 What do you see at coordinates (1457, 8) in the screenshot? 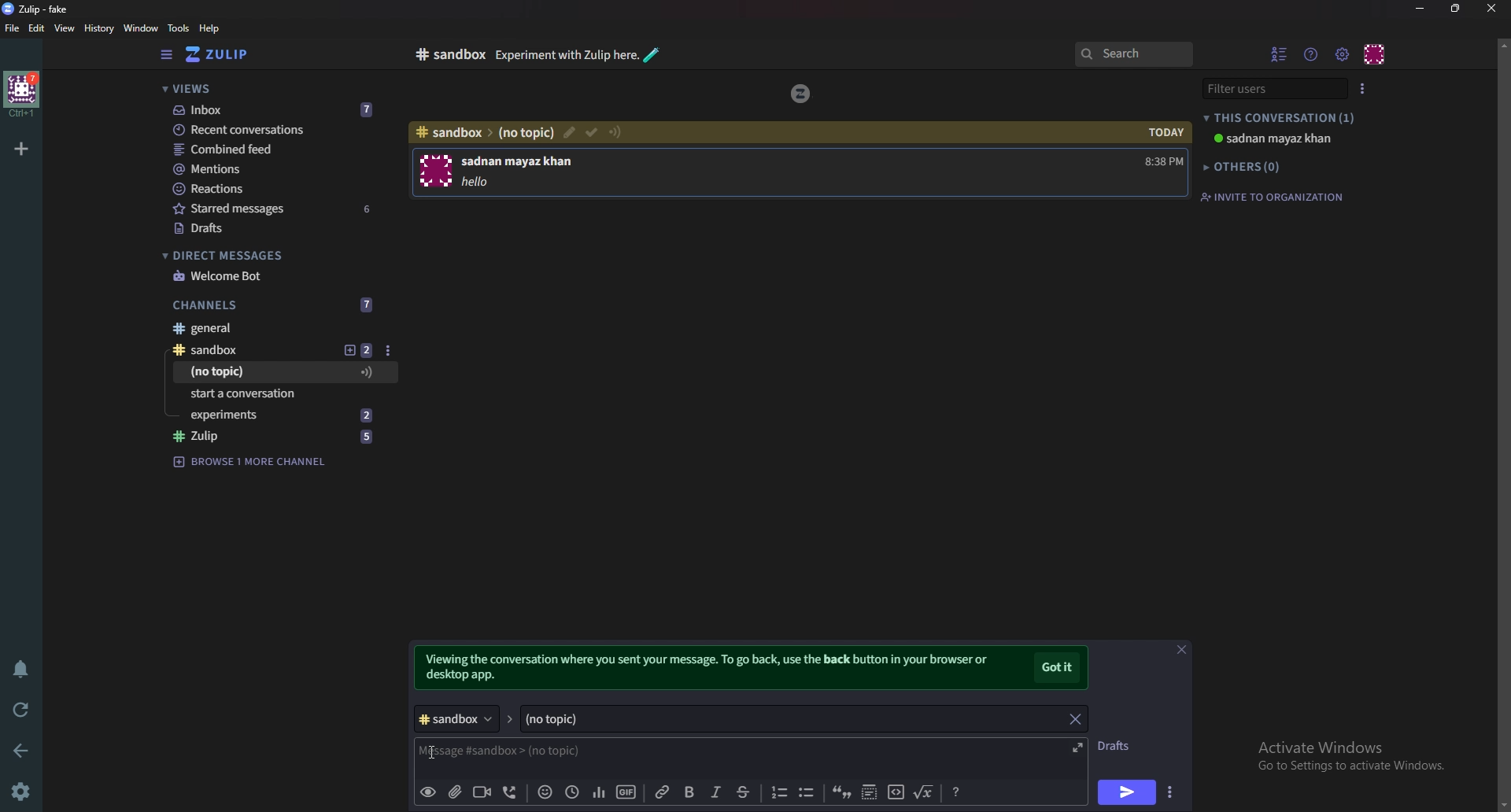
I see `Resize` at bounding box center [1457, 8].